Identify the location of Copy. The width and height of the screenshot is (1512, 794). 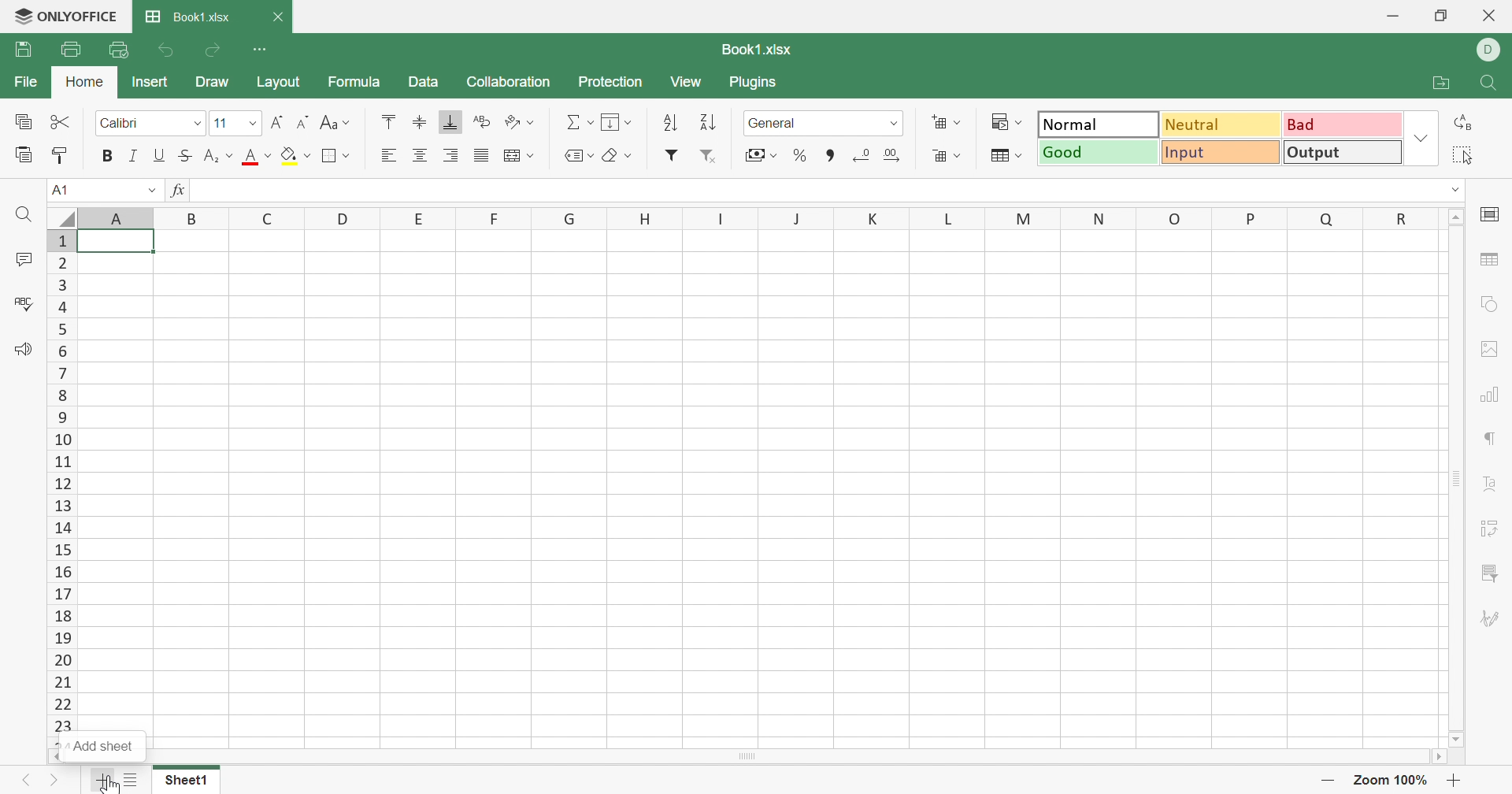
(22, 121).